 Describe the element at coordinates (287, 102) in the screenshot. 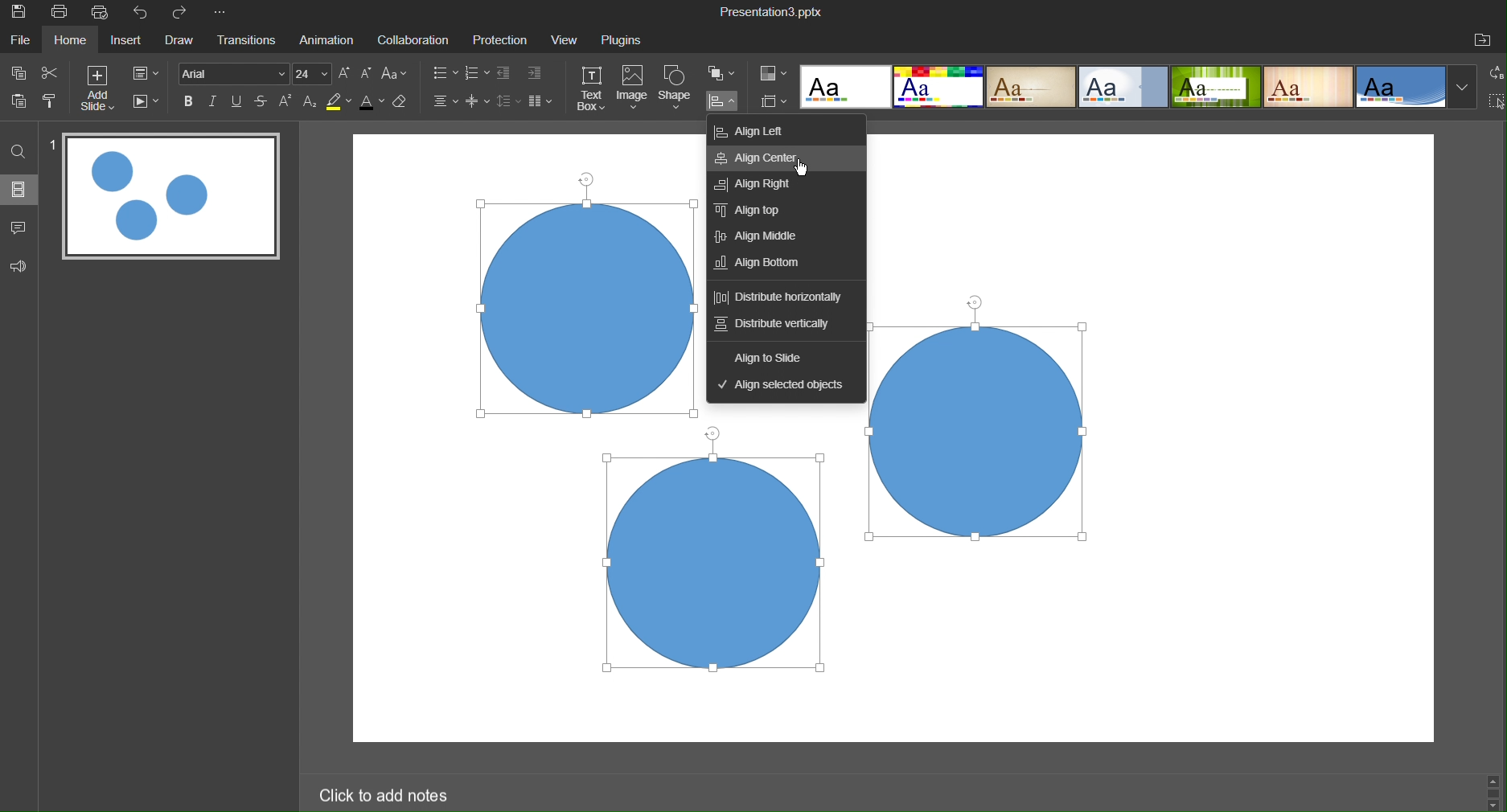

I see `Superscript` at that location.